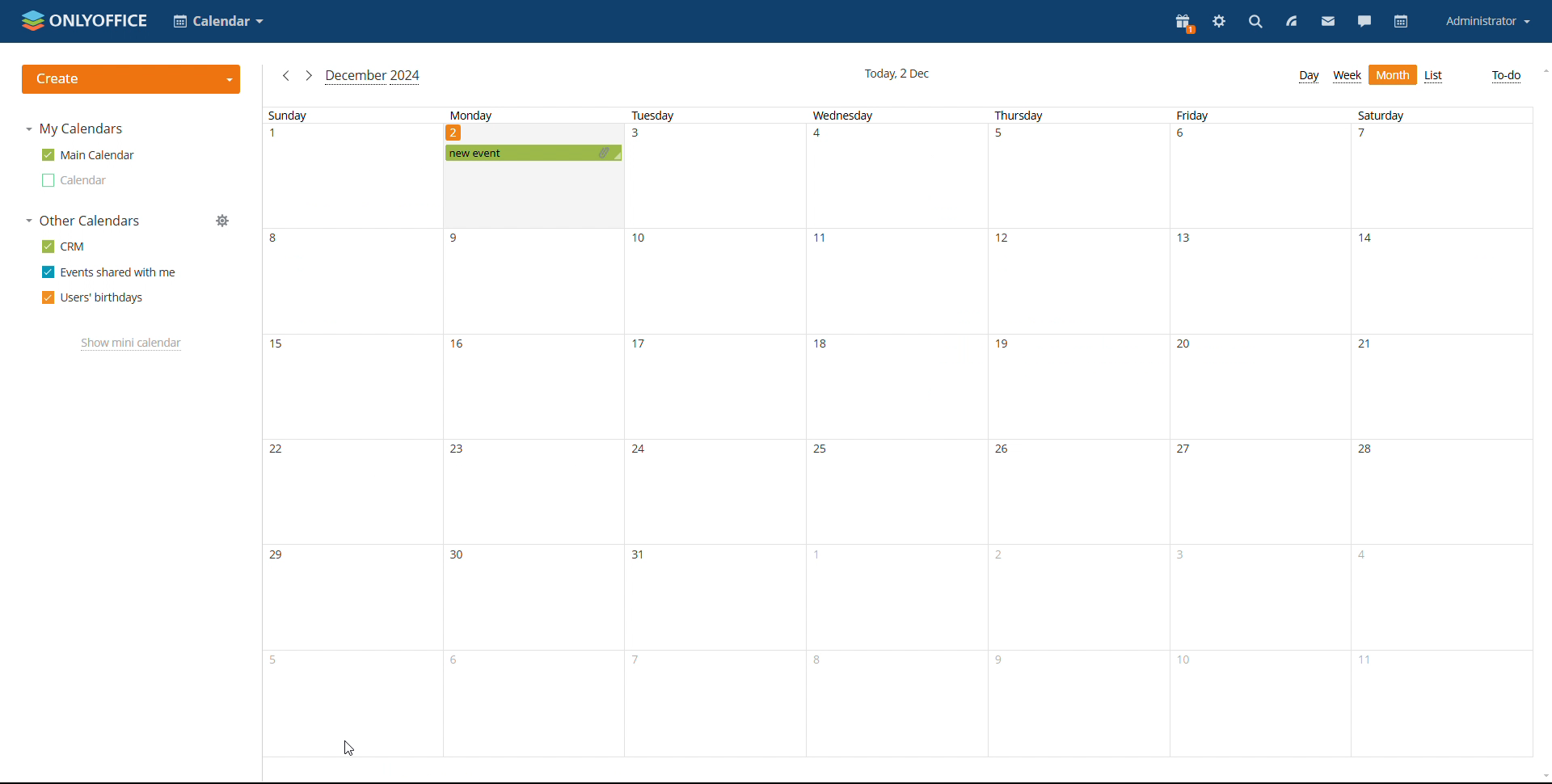  I want to click on friday, so click(1260, 431).